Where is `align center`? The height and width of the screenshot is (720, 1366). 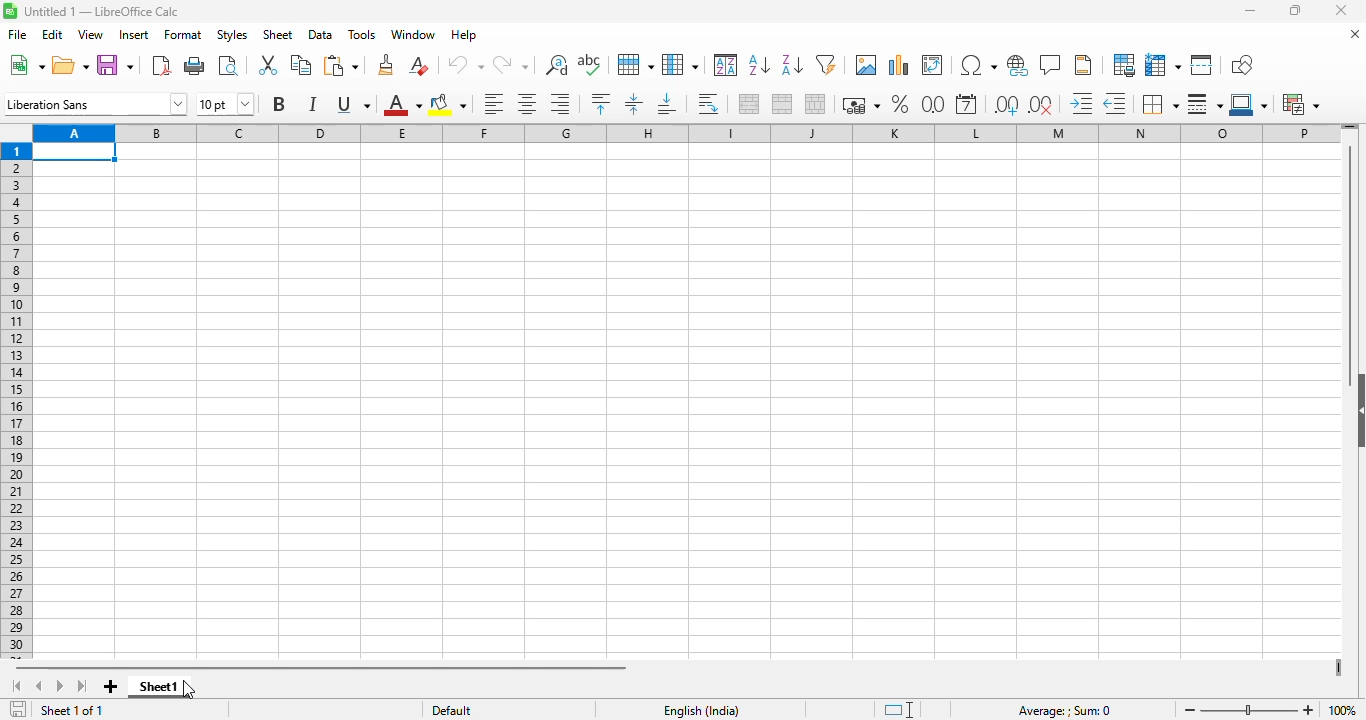 align center is located at coordinates (527, 104).